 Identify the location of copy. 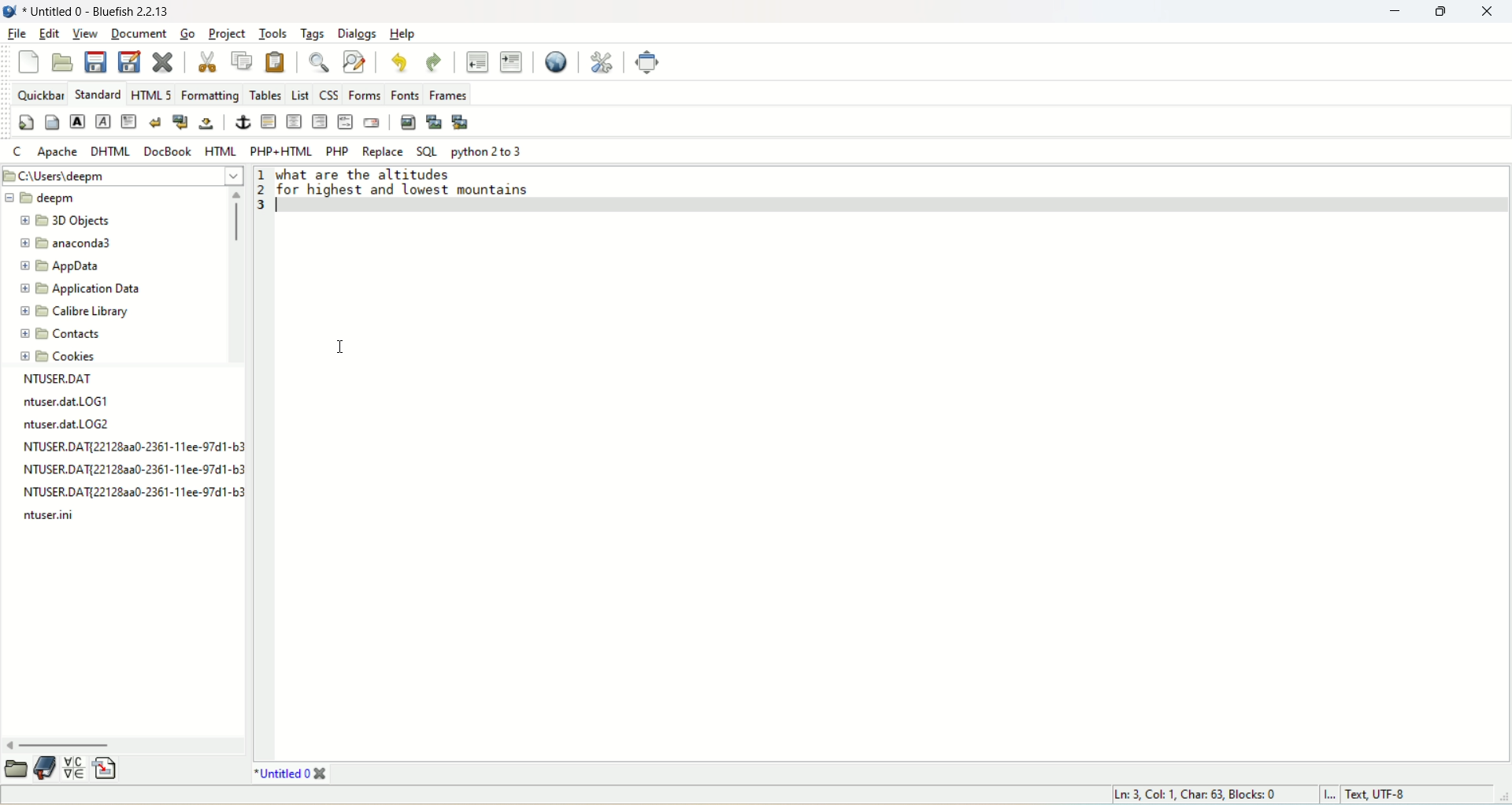
(241, 61).